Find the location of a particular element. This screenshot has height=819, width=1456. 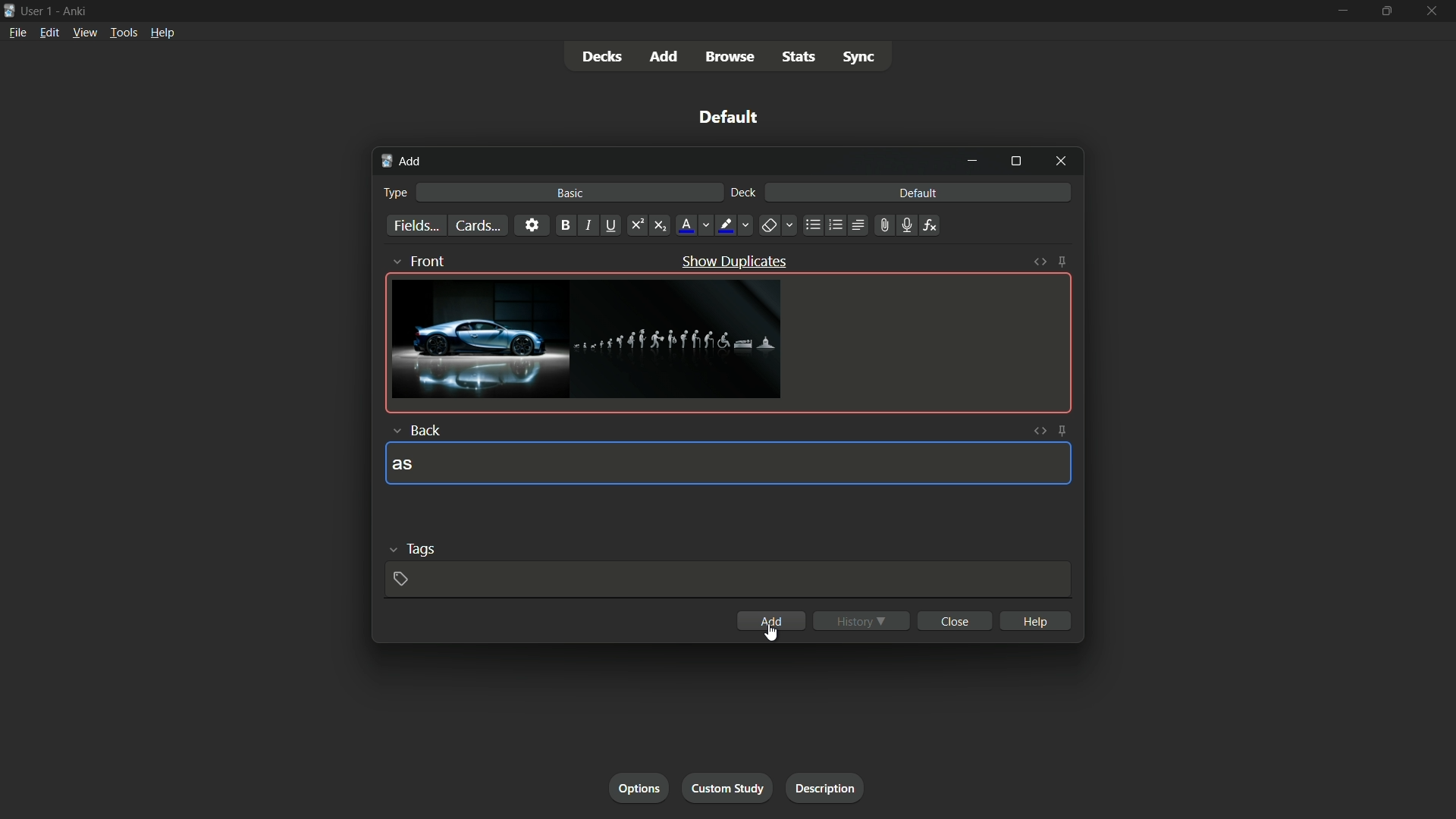

back is located at coordinates (416, 430).